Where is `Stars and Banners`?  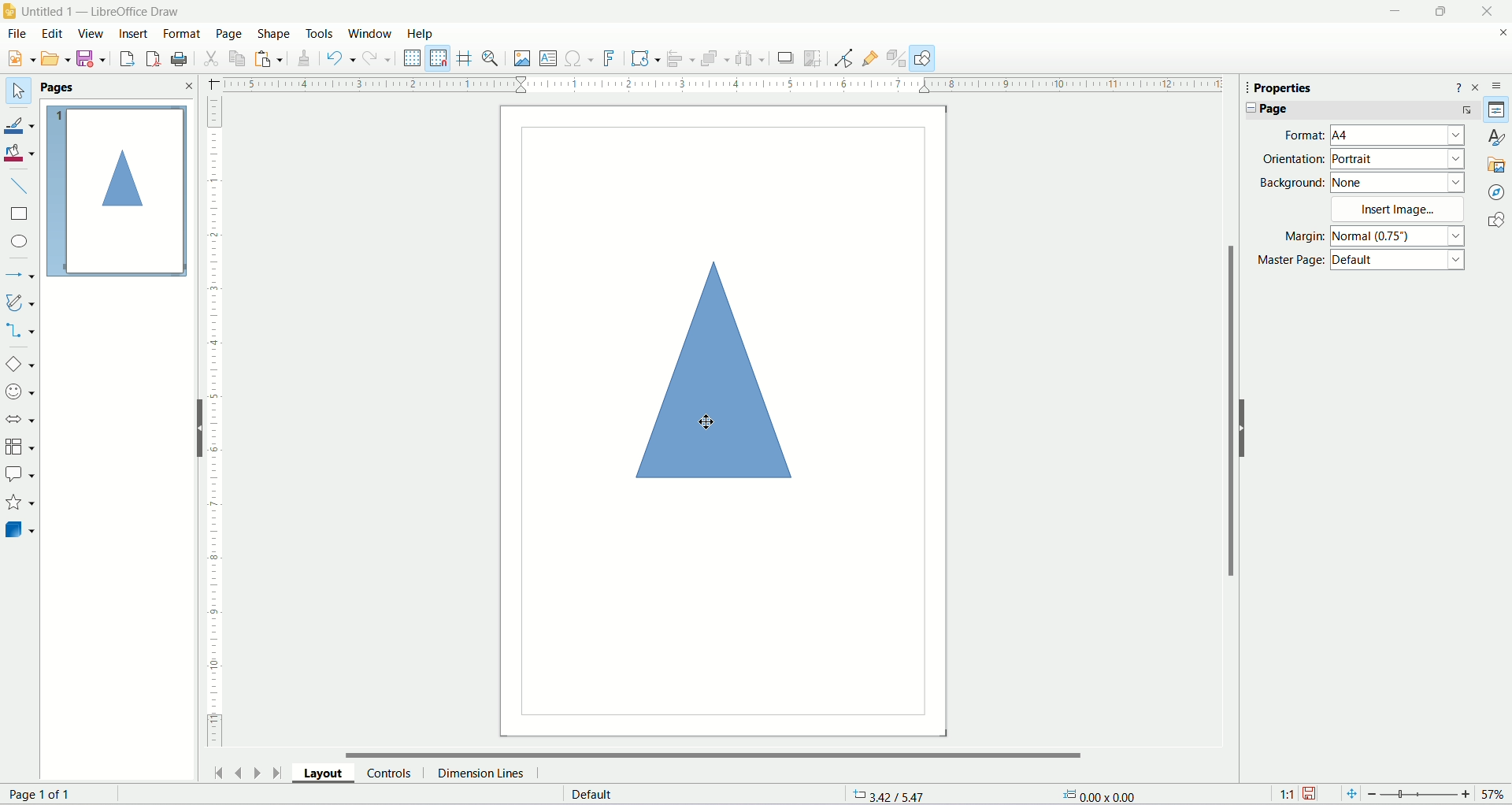 Stars and Banners is located at coordinates (22, 502).